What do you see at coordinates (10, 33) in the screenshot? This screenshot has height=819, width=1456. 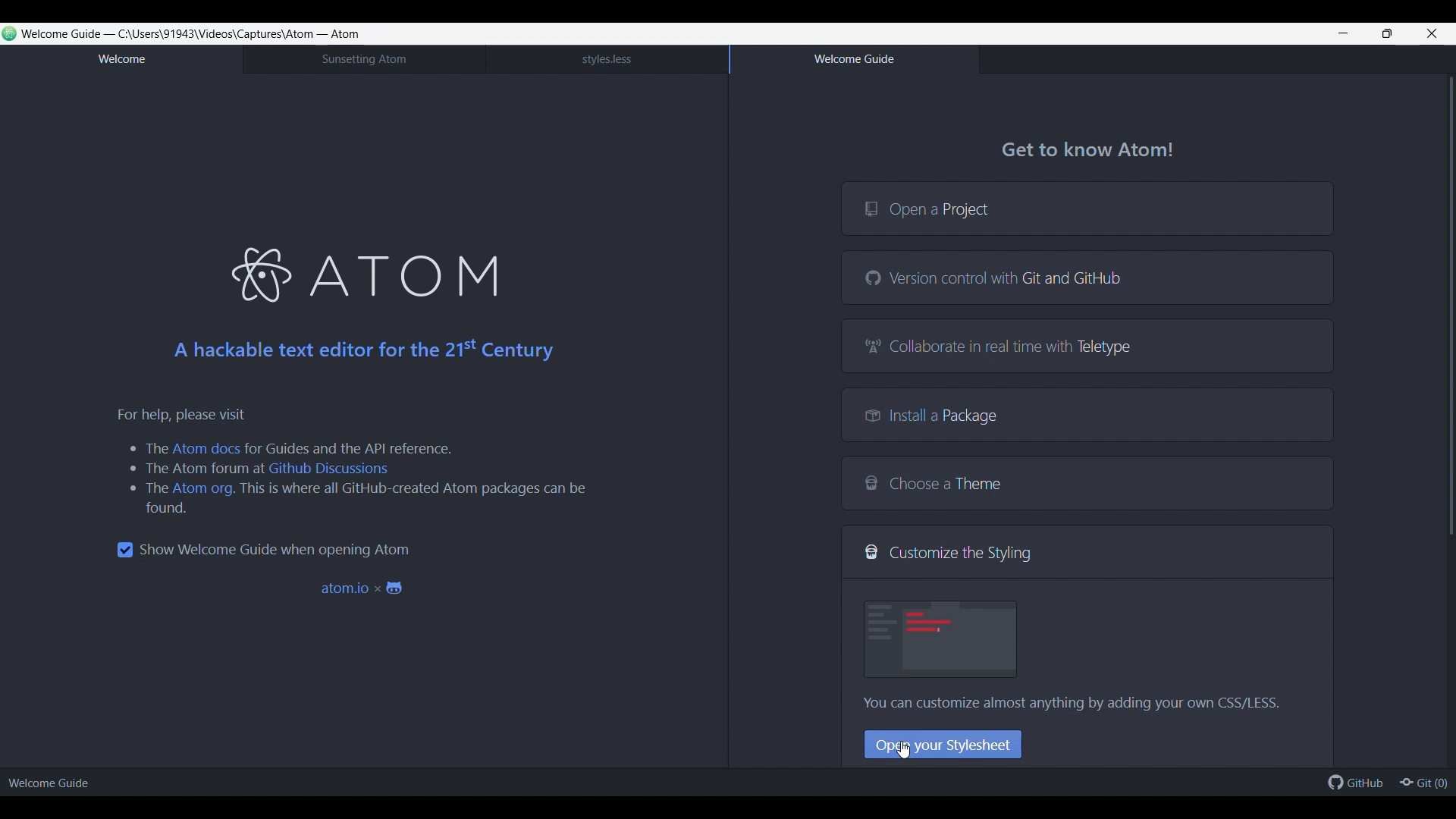 I see `Software logo` at bounding box center [10, 33].